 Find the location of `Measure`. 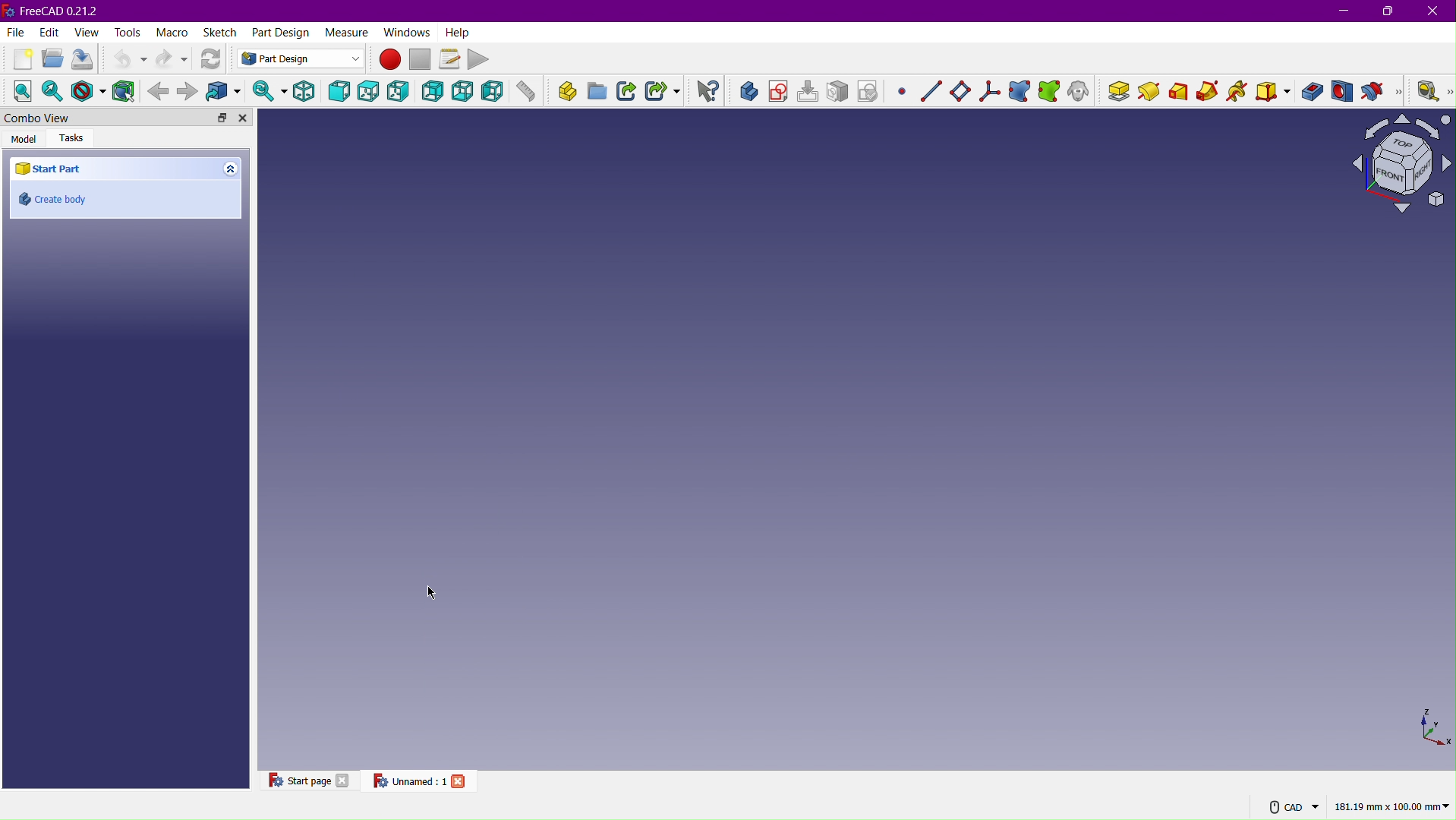

Measure is located at coordinates (347, 29).